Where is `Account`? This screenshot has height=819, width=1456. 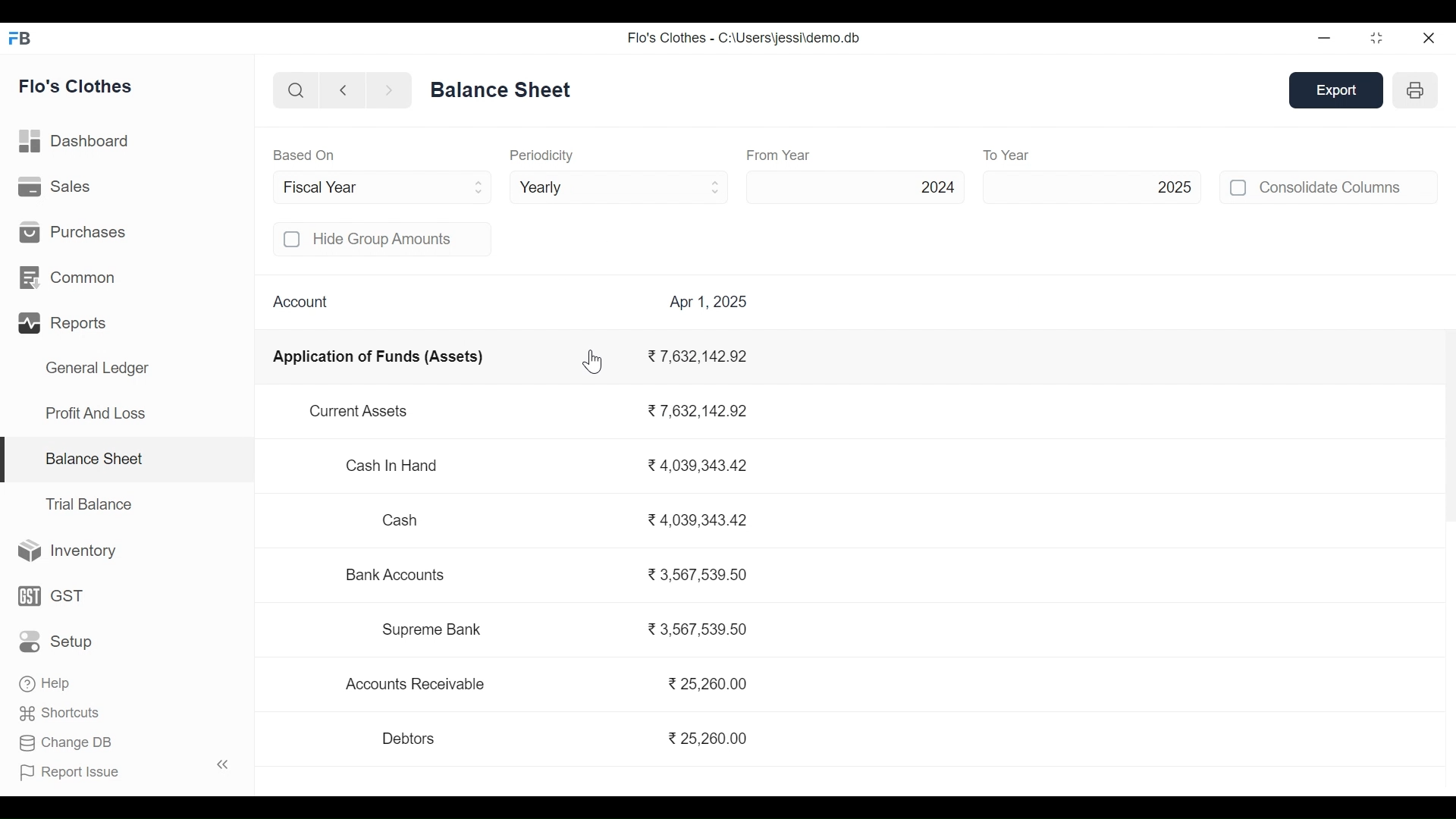
Account is located at coordinates (300, 300).